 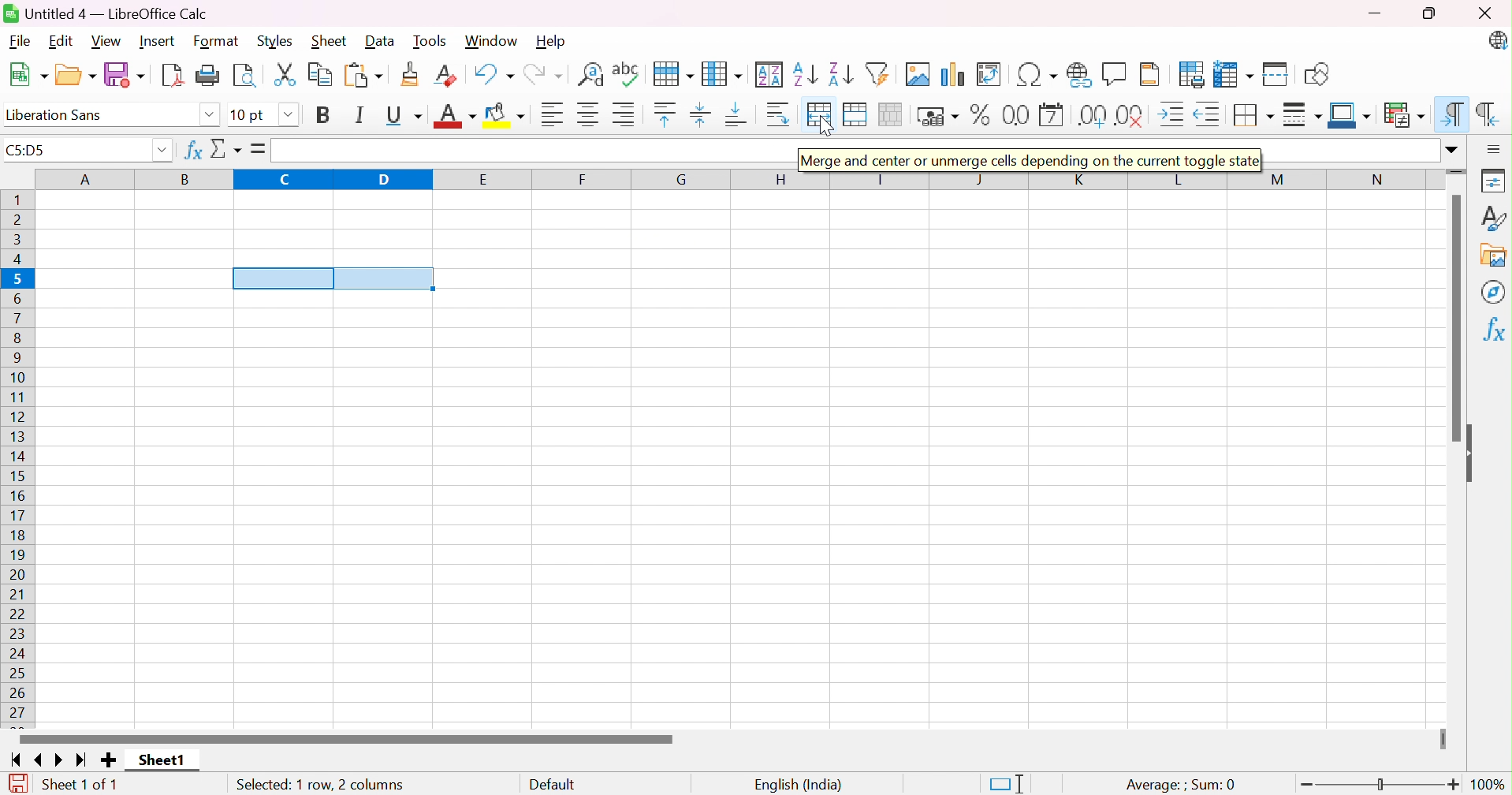 What do you see at coordinates (1235, 74) in the screenshot?
I see `Freeze Rows and Columns` at bounding box center [1235, 74].